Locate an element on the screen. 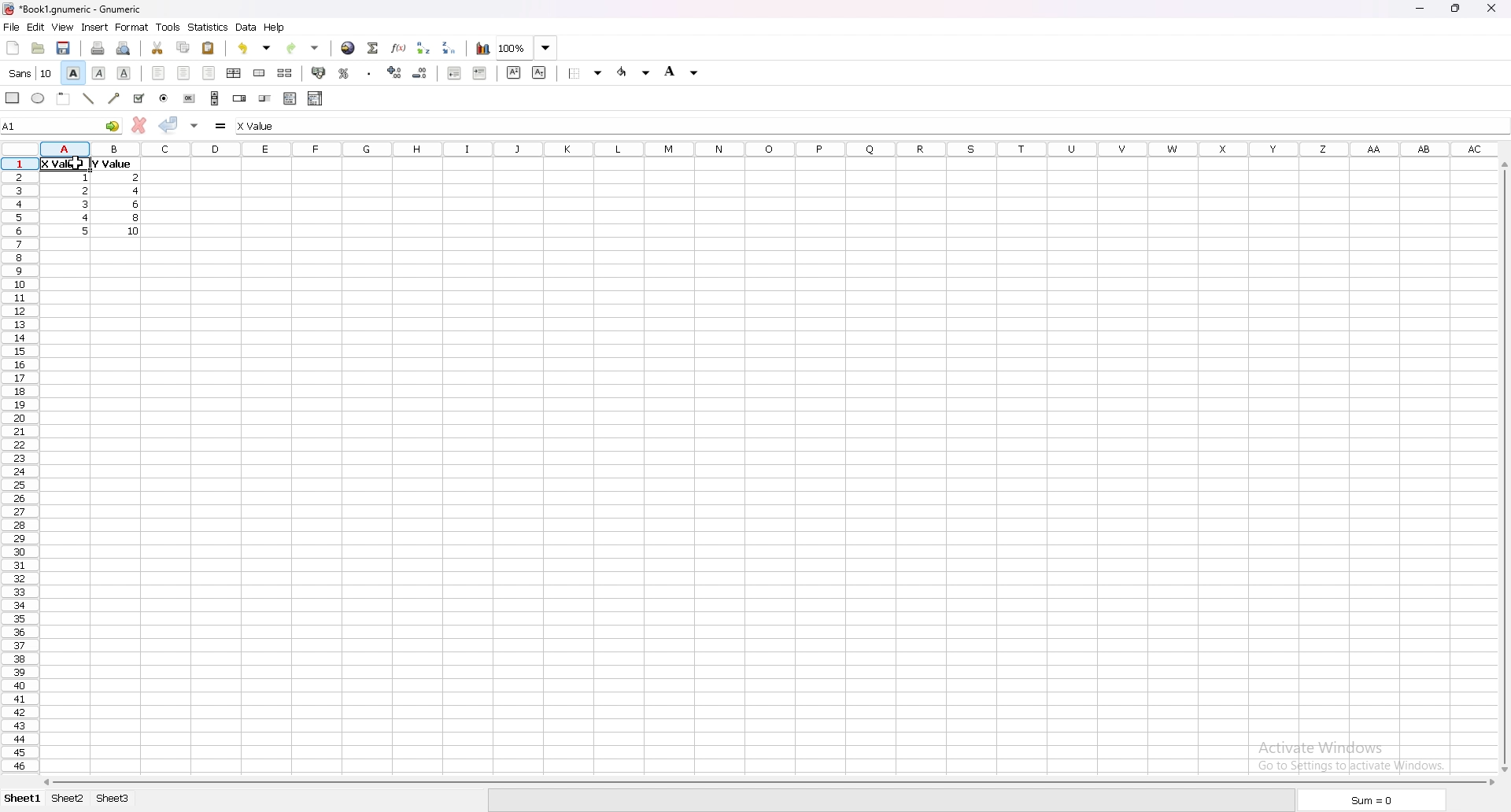 The height and width of the screenshot is (812, 1511). scroll bar is located at coordinates (215, 98).